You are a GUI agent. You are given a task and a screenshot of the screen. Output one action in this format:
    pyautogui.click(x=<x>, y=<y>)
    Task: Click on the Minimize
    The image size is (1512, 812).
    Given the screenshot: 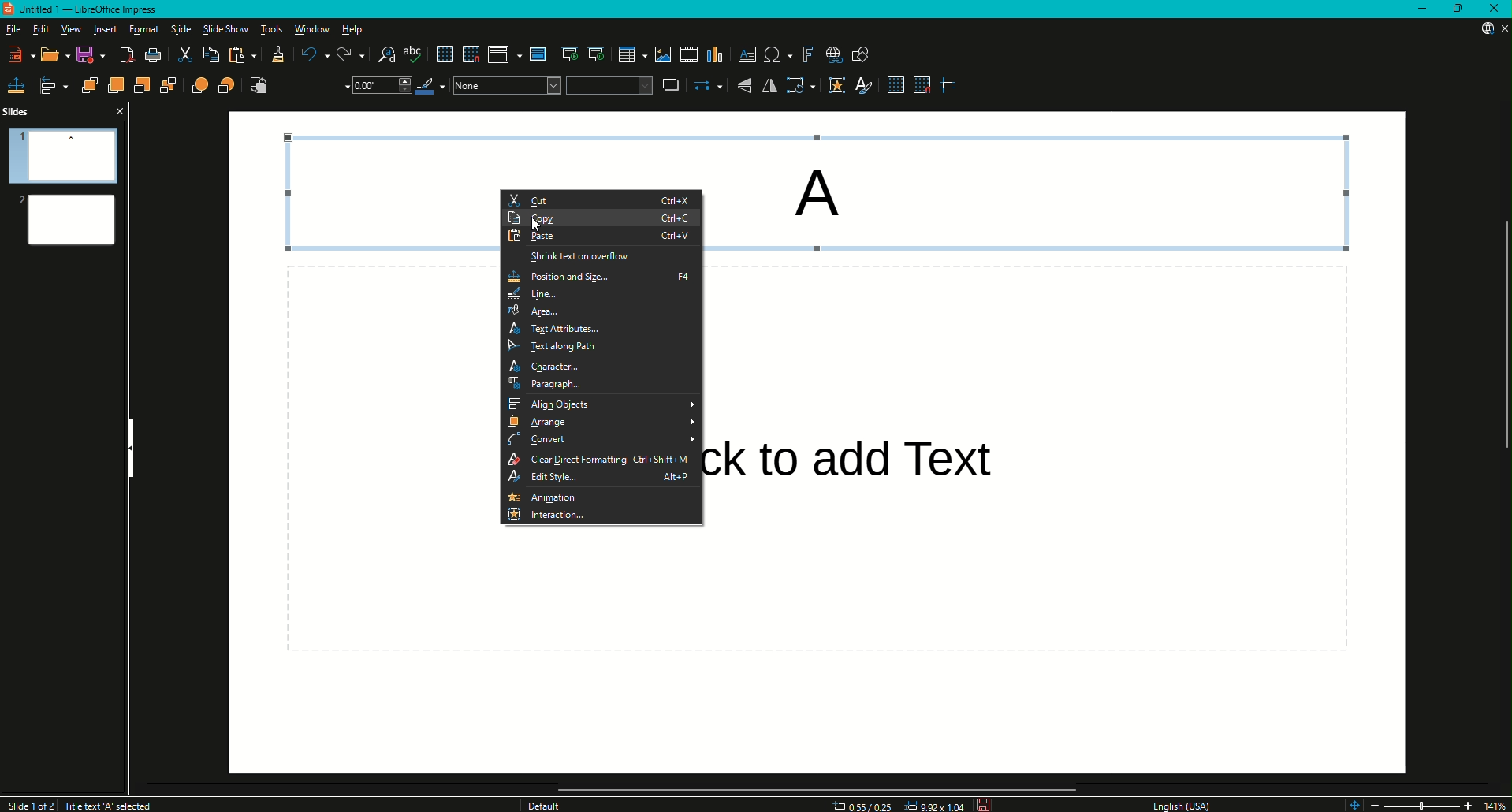 What is the action you would take?
    pyautogui.click(x=1422, y=9)
    